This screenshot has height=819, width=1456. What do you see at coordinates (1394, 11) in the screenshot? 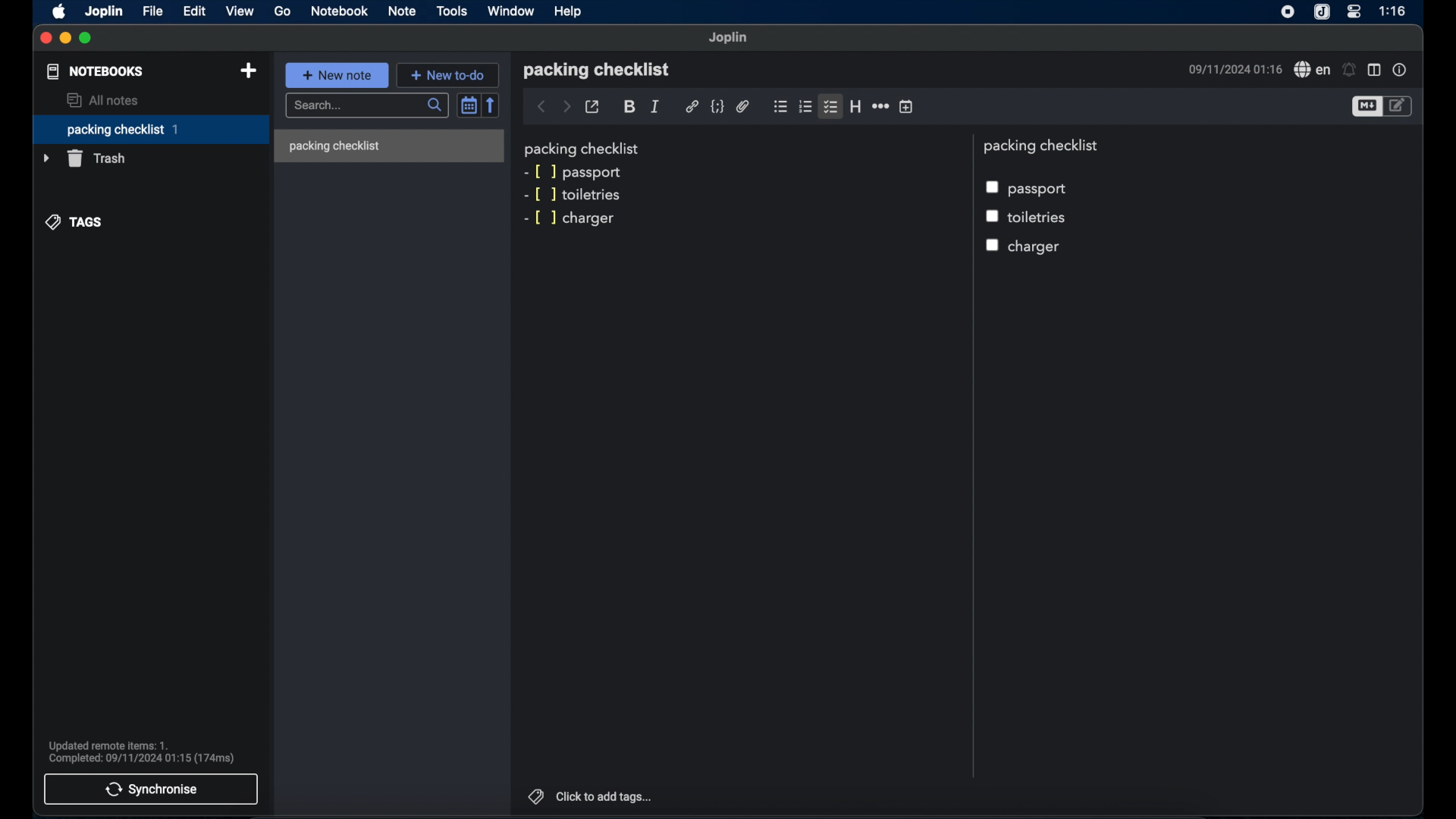
I see `1:16` at bounding box center [1394, 11].